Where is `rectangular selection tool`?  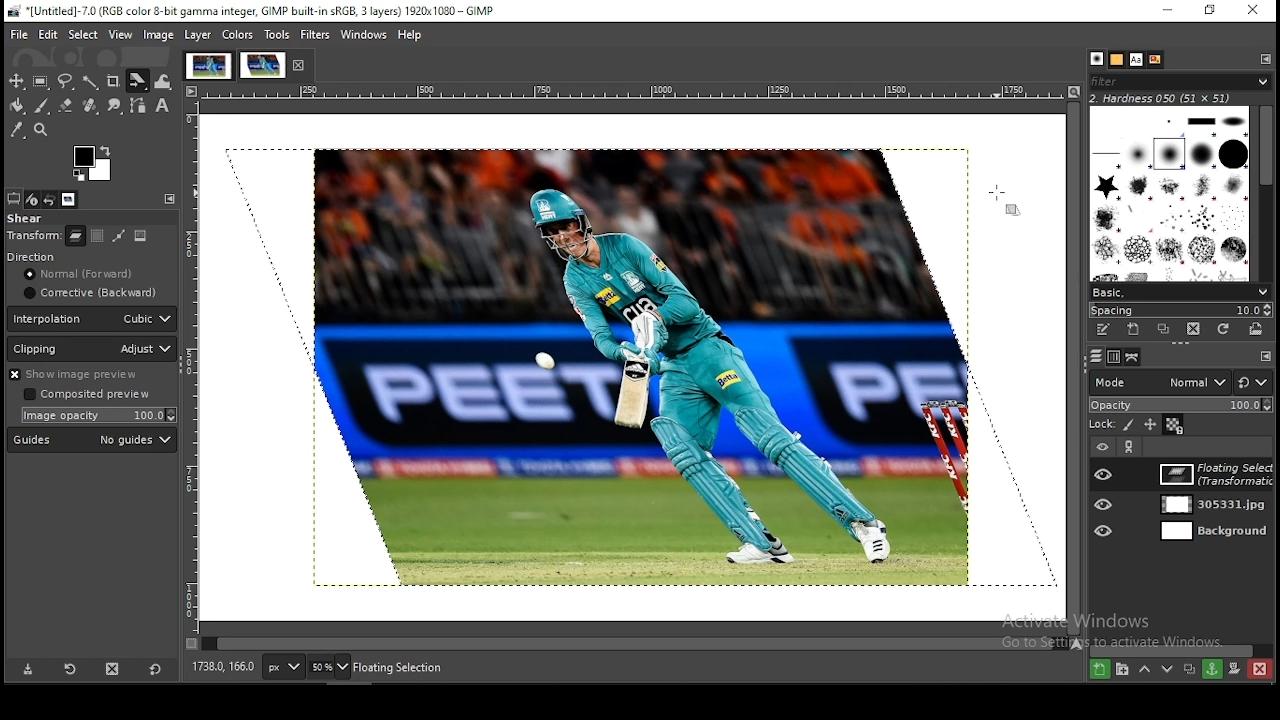 rectangular selection tool is located at coordinates (41, 82).